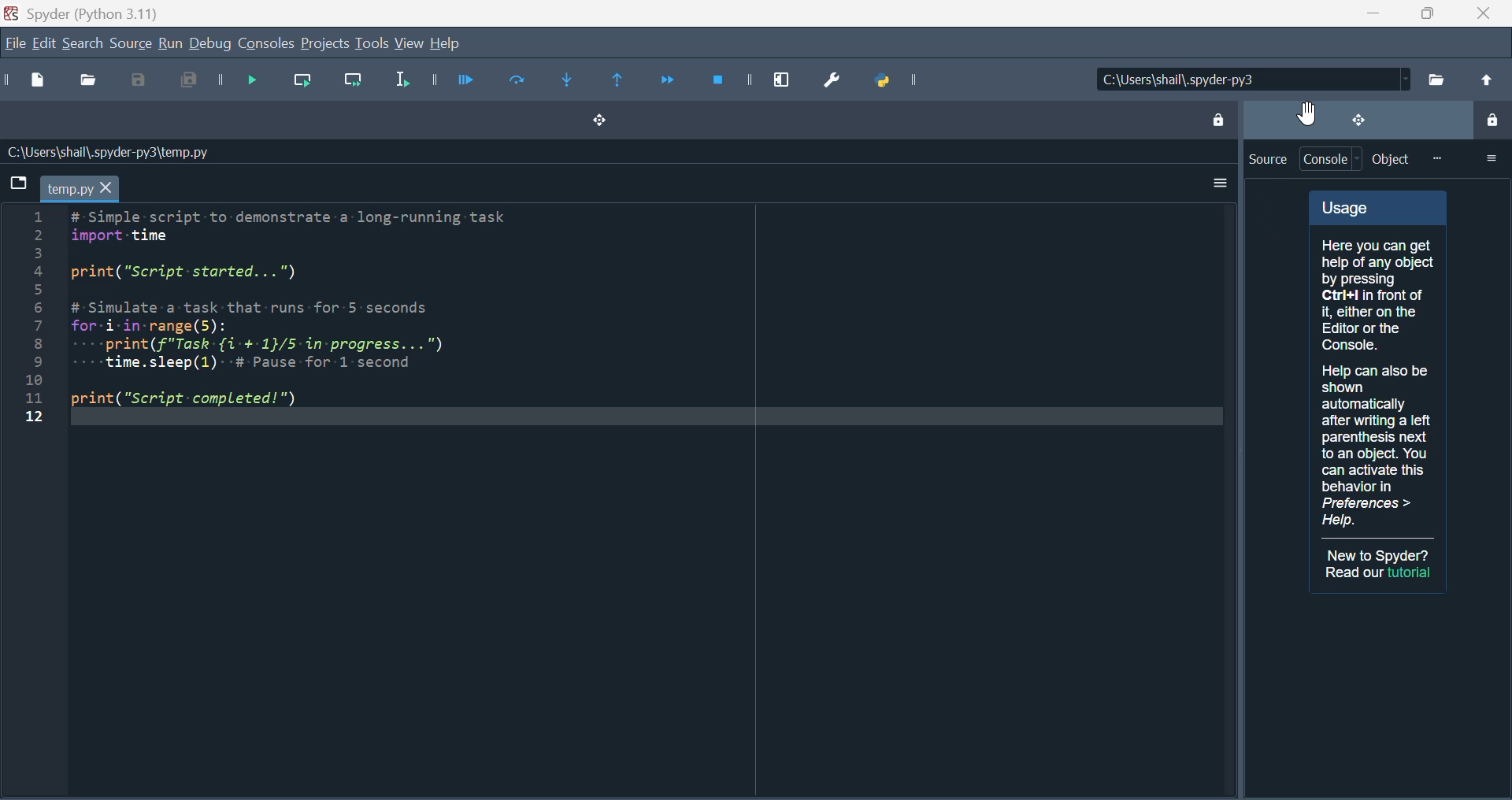  What do you see at coordinates (308, 310) in the screenshot?
I see `Python code` at bounding box center [308, 310].